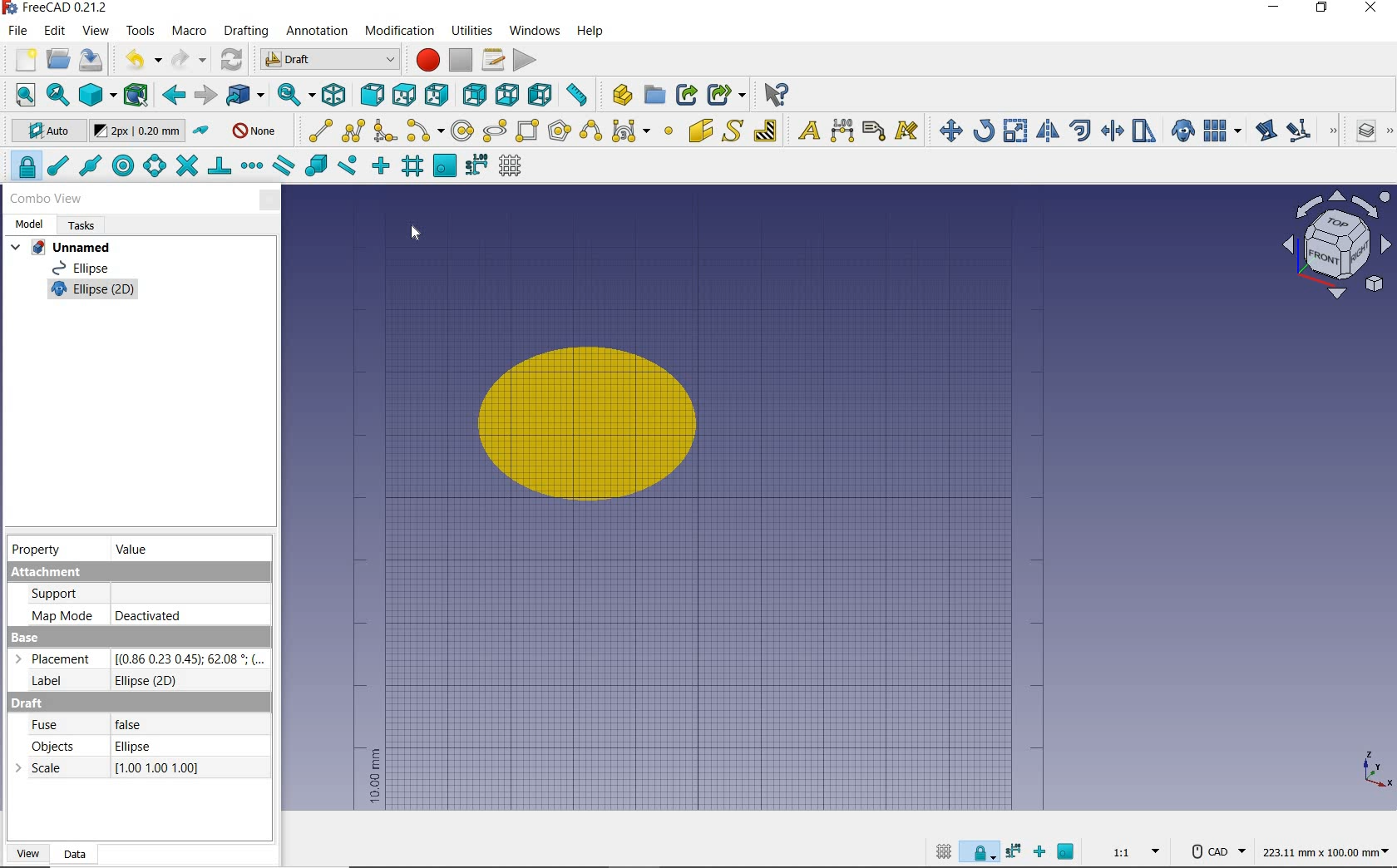 The height and width of the screenshot is (868, 1397). What do you see at coordinates (947, 129) in the screenshot?
I see `move` at bounding box center [947, 129].